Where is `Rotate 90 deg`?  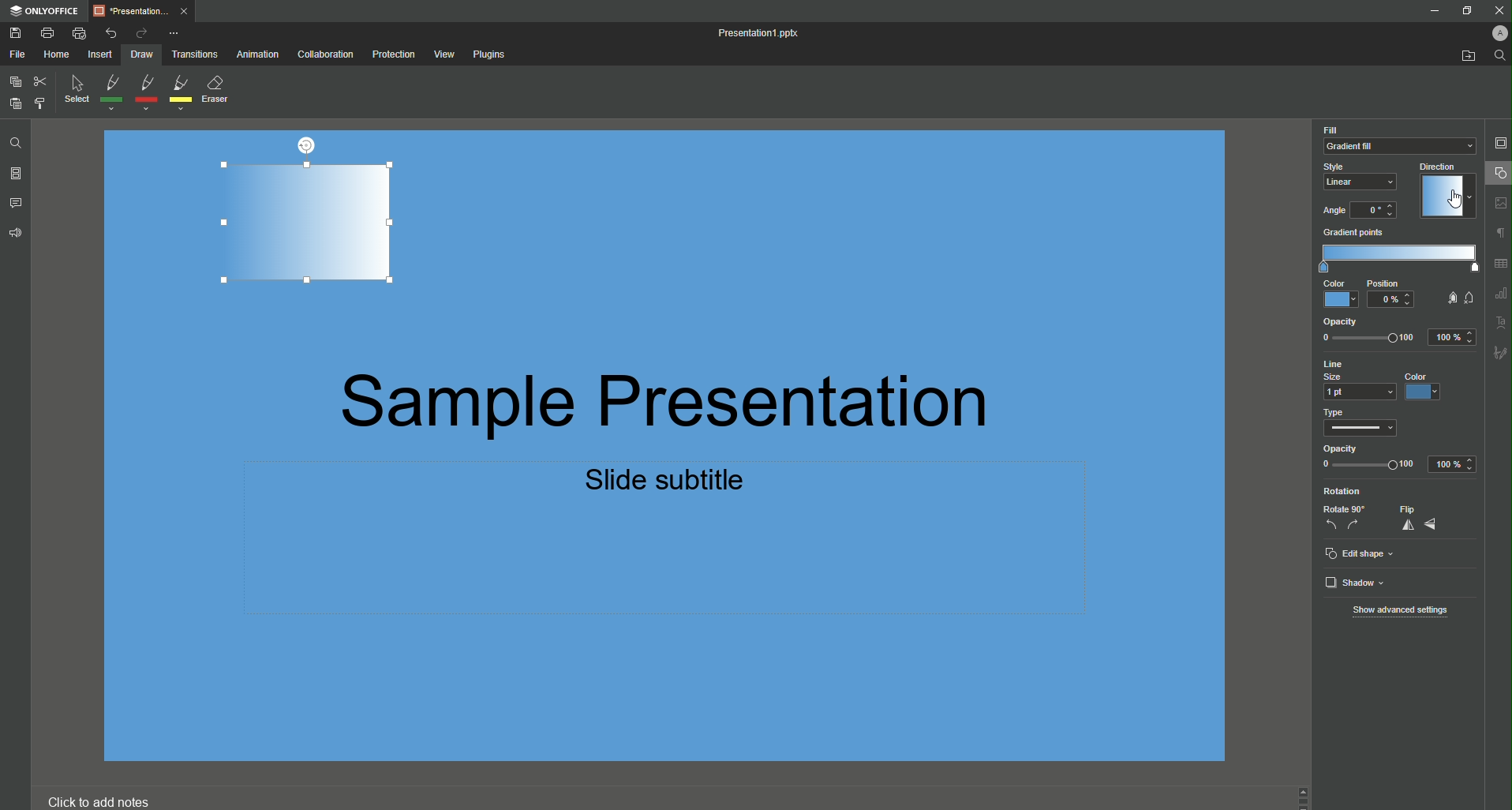
Rotate 90 deg is located at coordinates (1342, 516).